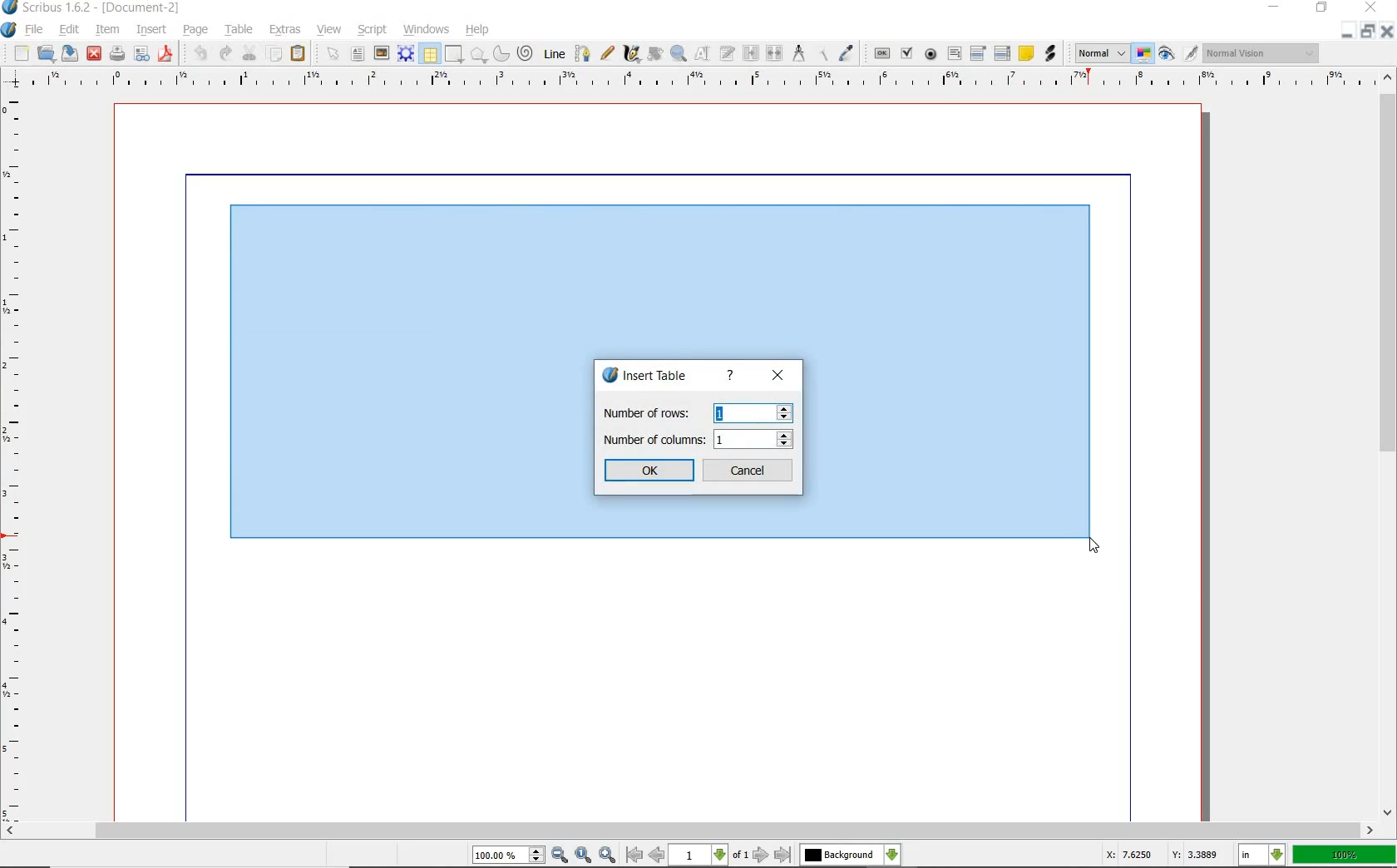  Describe the element at coordinates (508, 856) in the screenshot. I see `select current zoom level` at that location.